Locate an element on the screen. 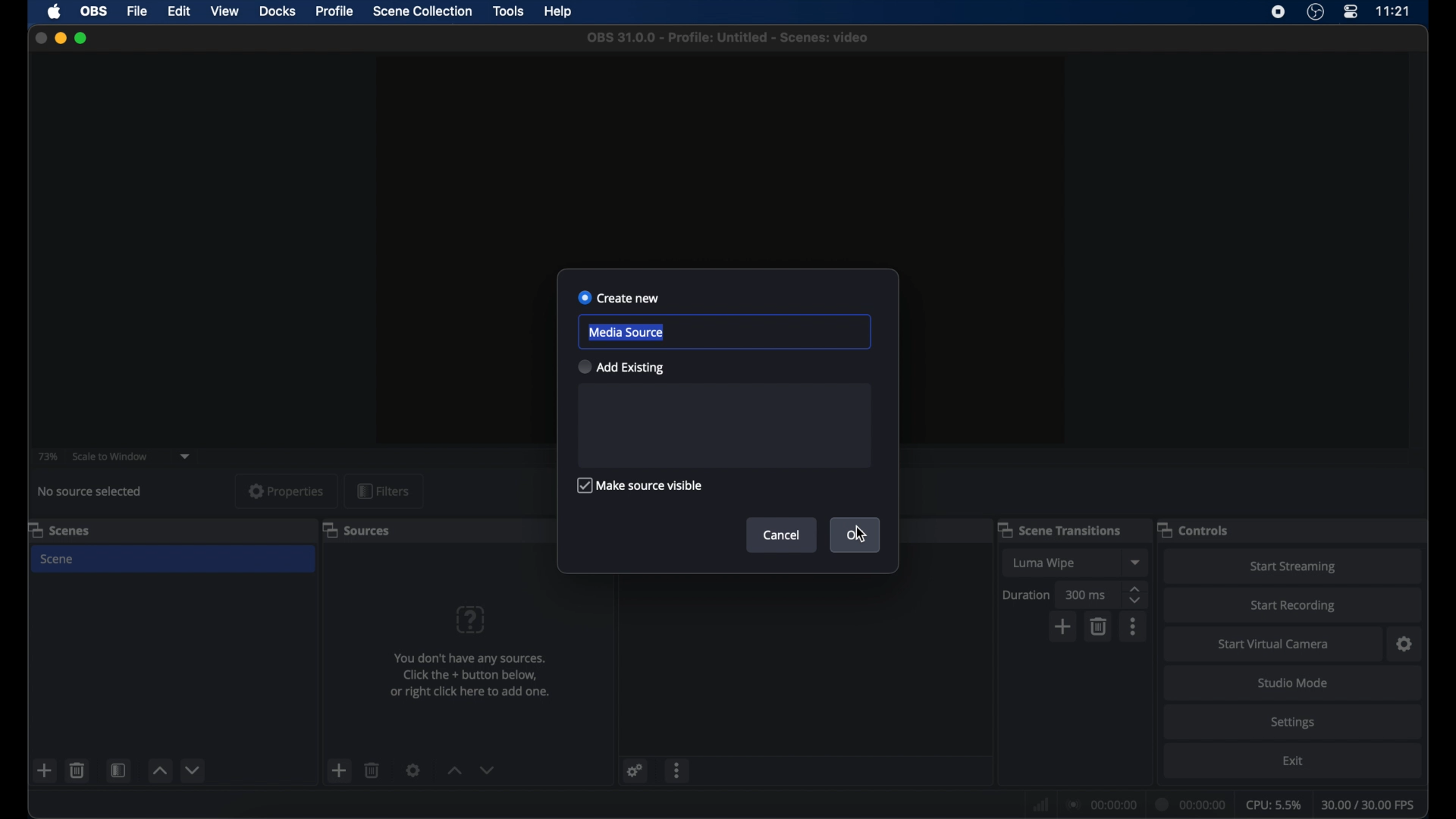  increment is located at coordinates (159, 770).